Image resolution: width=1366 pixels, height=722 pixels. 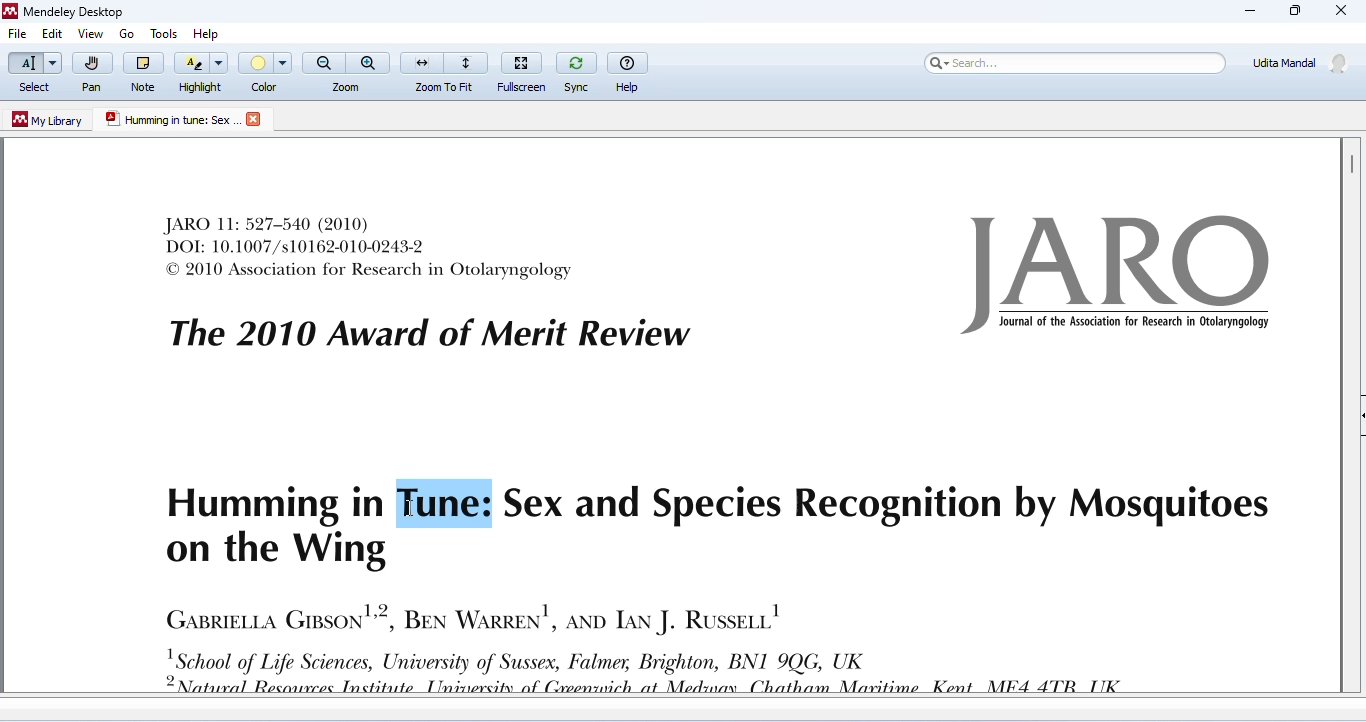 What do you see at coordinates (1350, 163) in the screenshot?
I see `vertical scroll bar` at bounding box center [1350, 163].